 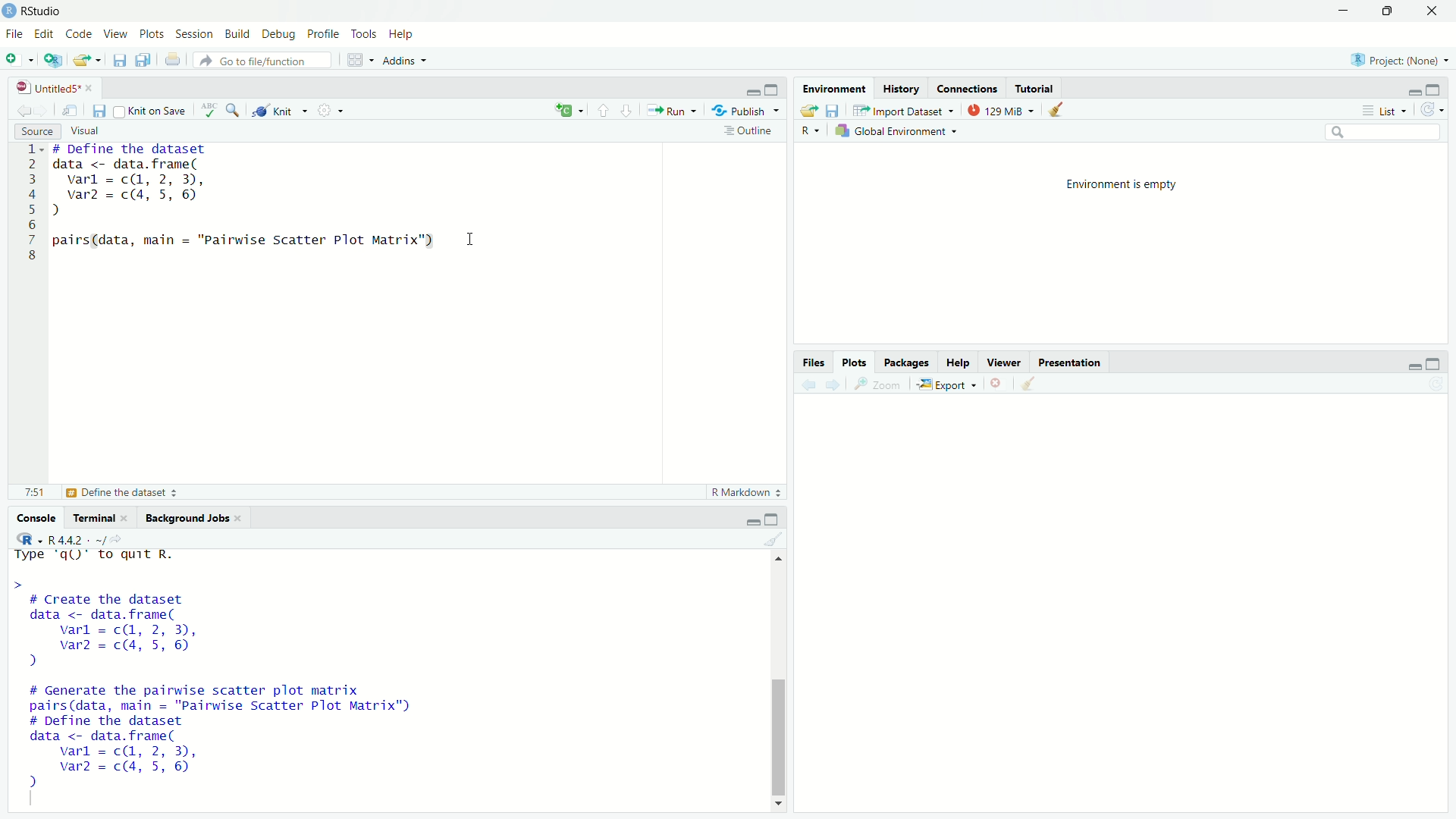 I want to click on 8:1, so click(x=36, y=491).